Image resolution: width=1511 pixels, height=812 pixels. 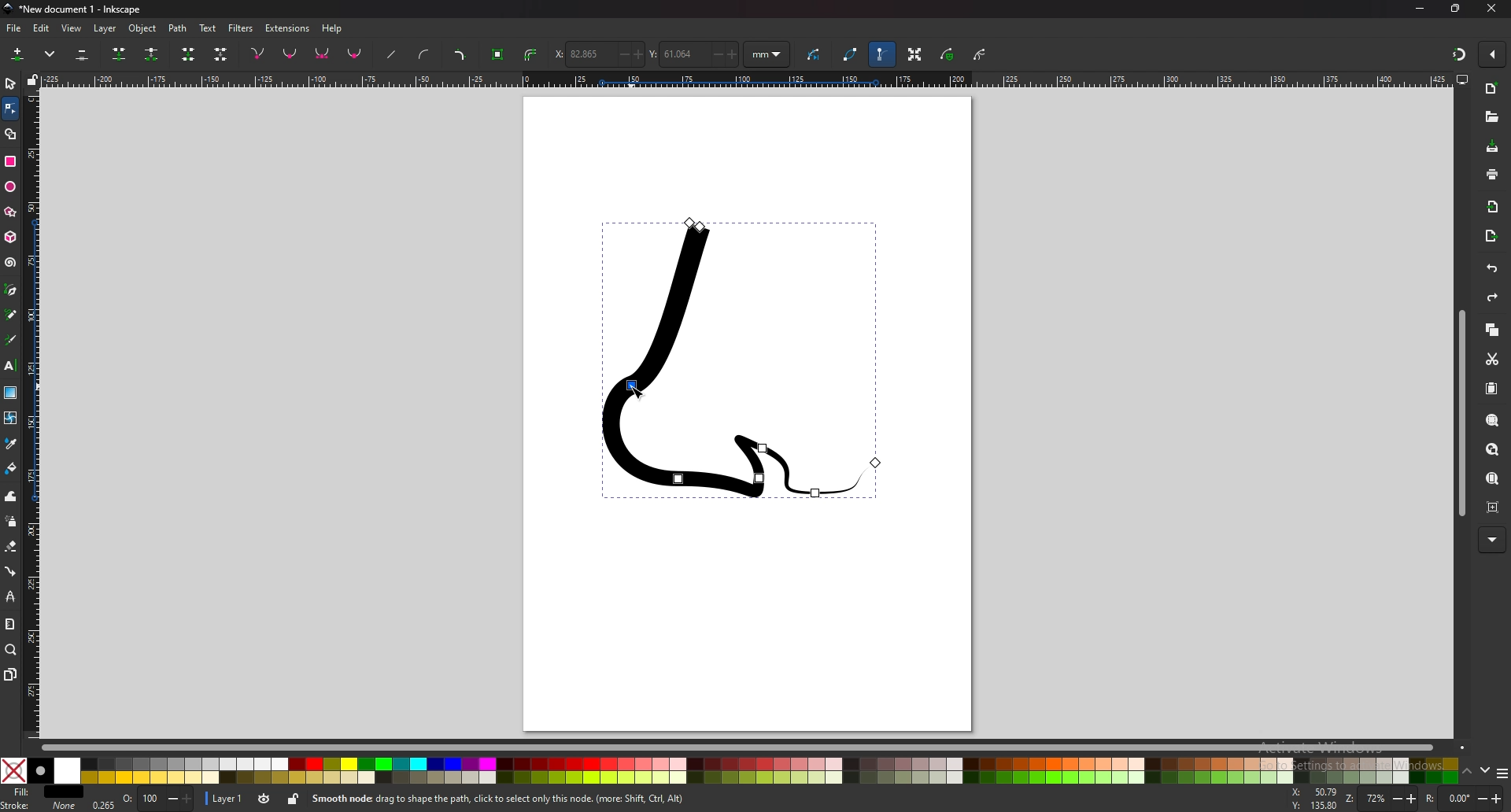 I want to click on extensions, so click(x=288, y=27).